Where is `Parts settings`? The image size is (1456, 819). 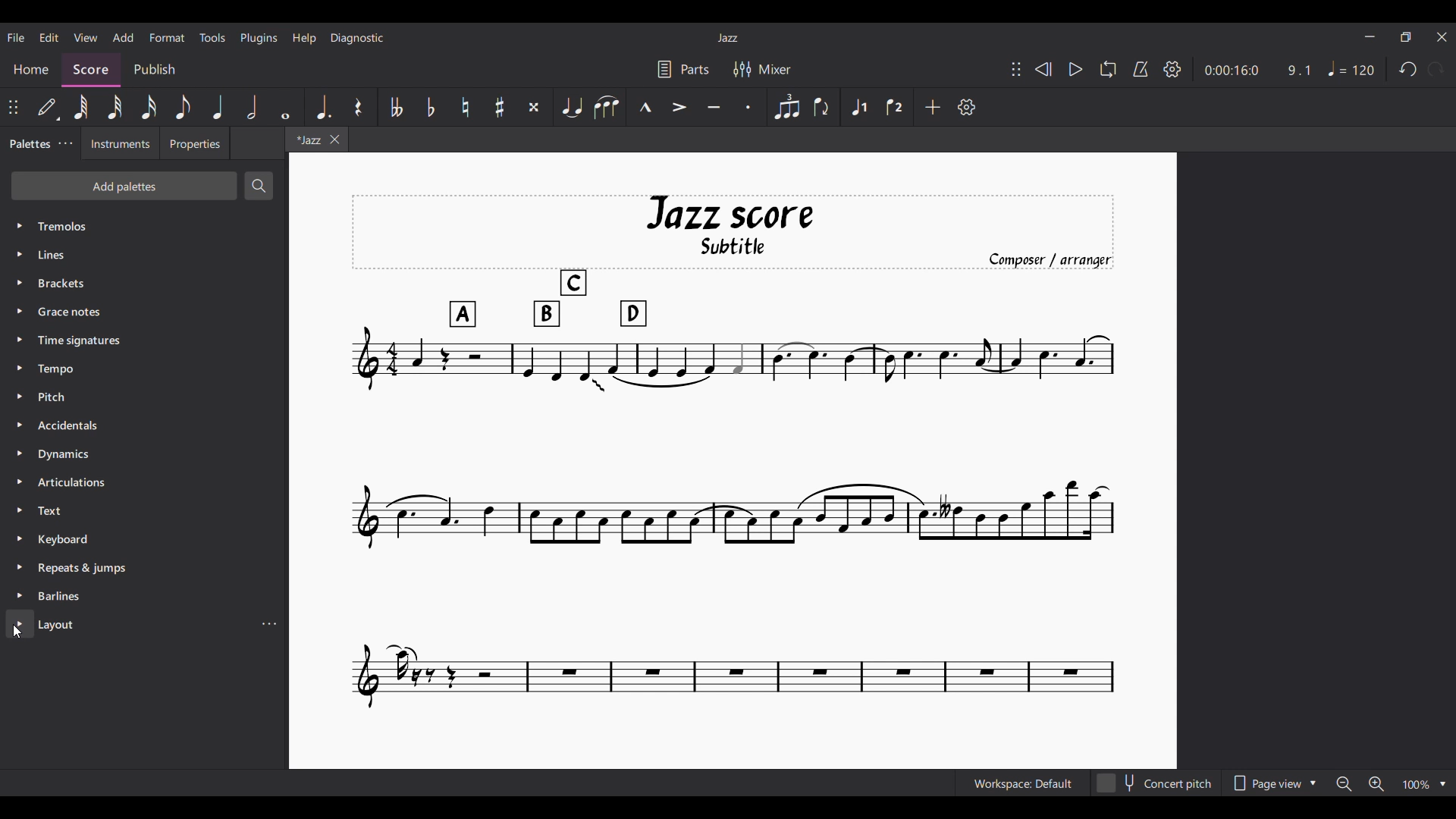 Parts settings is located at coordinates (683, 70).